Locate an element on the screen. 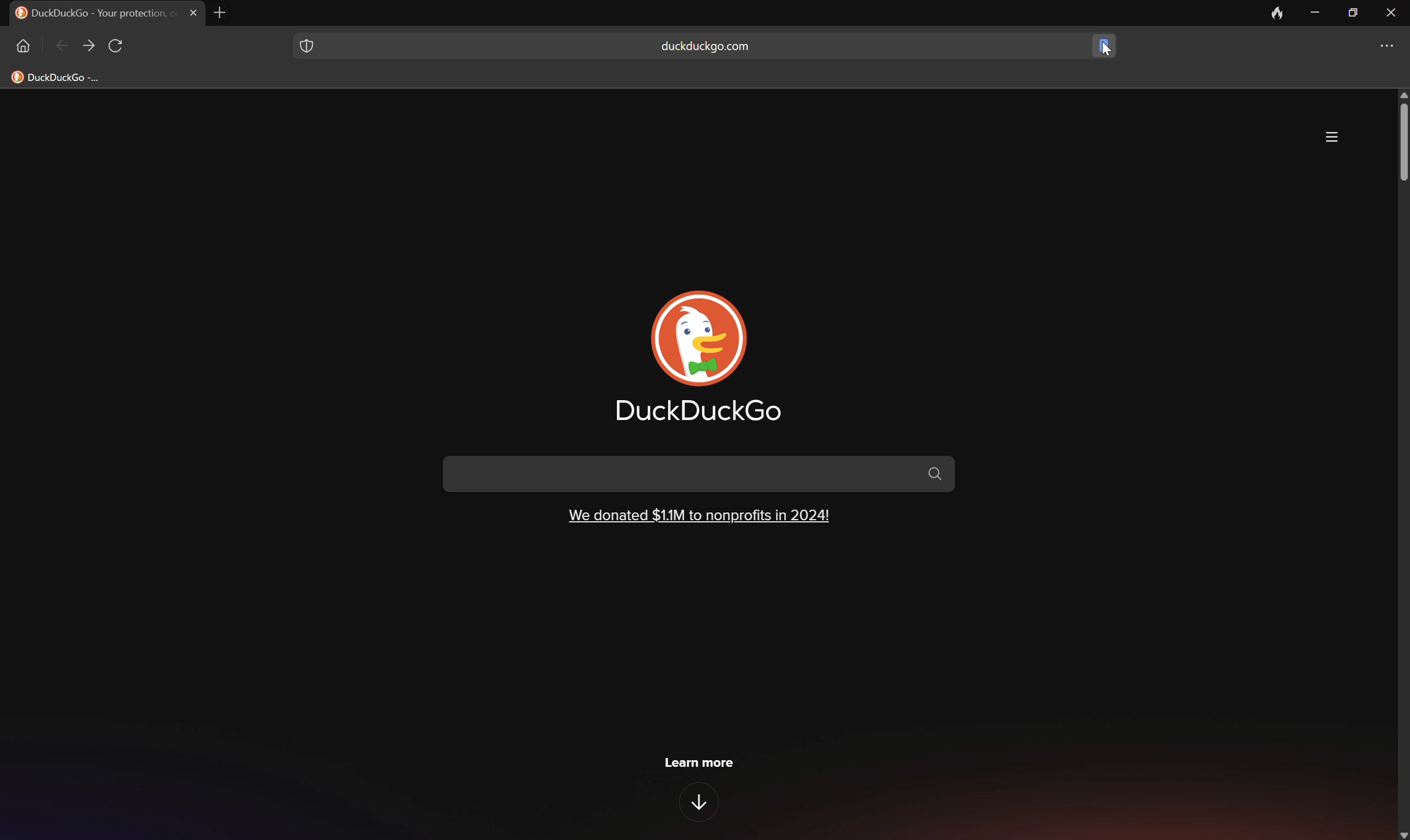 The height and width of the screenshot is (840, 1410). duckduckgo.com is located at coordinates (705, 46).